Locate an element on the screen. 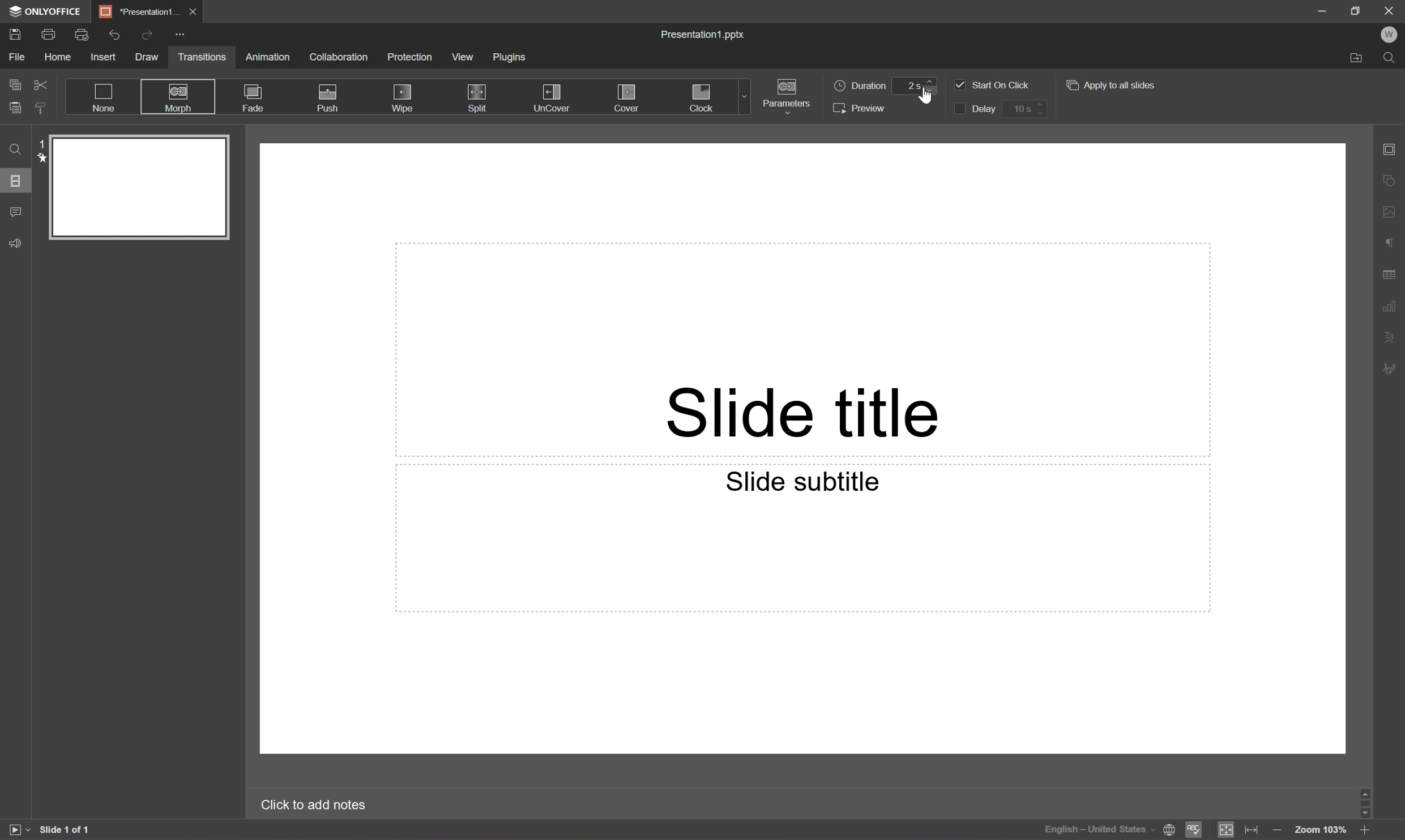  1 is located at coordinates (36, 143).